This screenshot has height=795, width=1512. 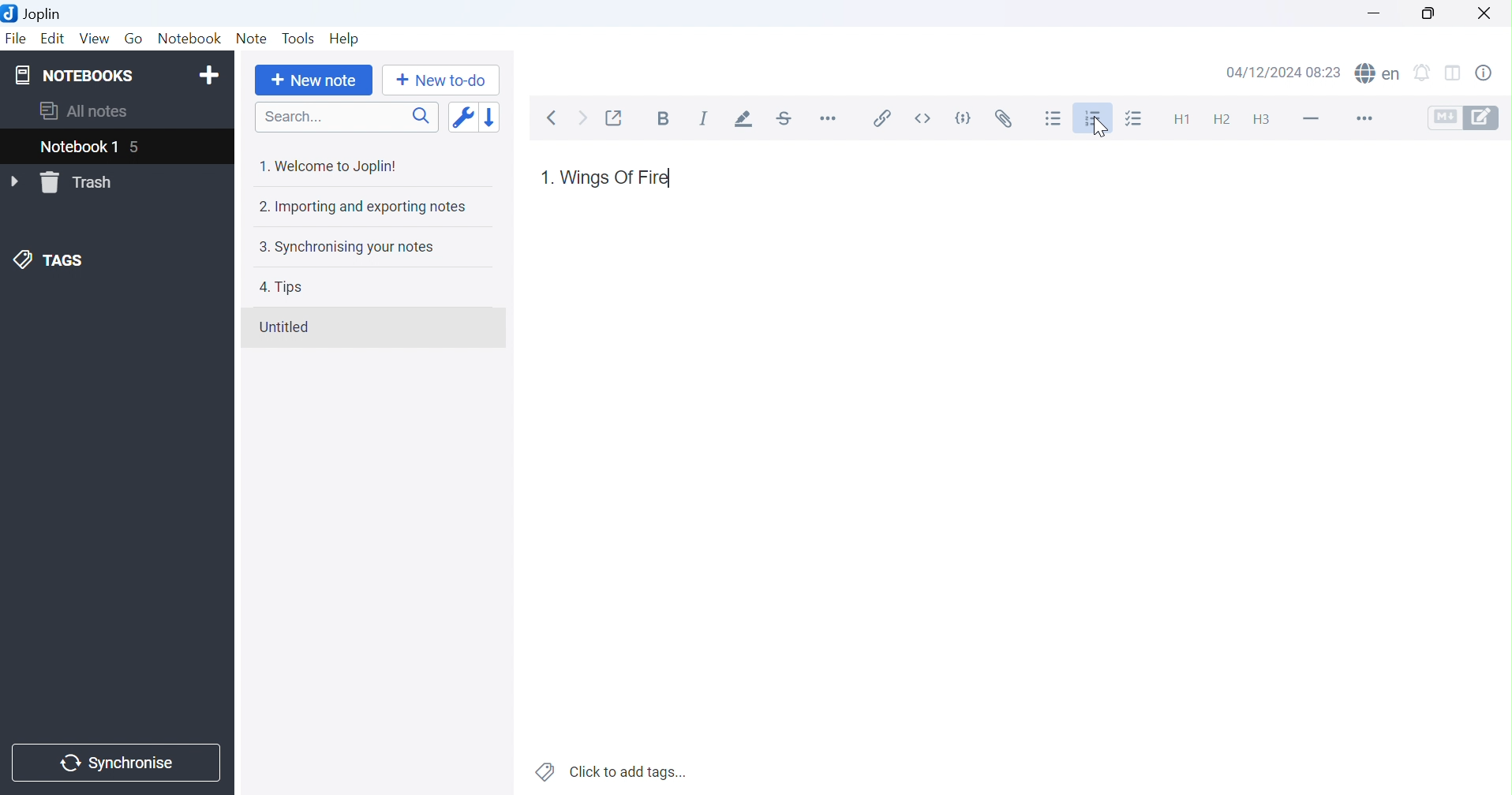 What do you see at coordinates (345, 248) in the screenshot?
I see `3. Synchronising your notes` at bounding box center [345, 248].